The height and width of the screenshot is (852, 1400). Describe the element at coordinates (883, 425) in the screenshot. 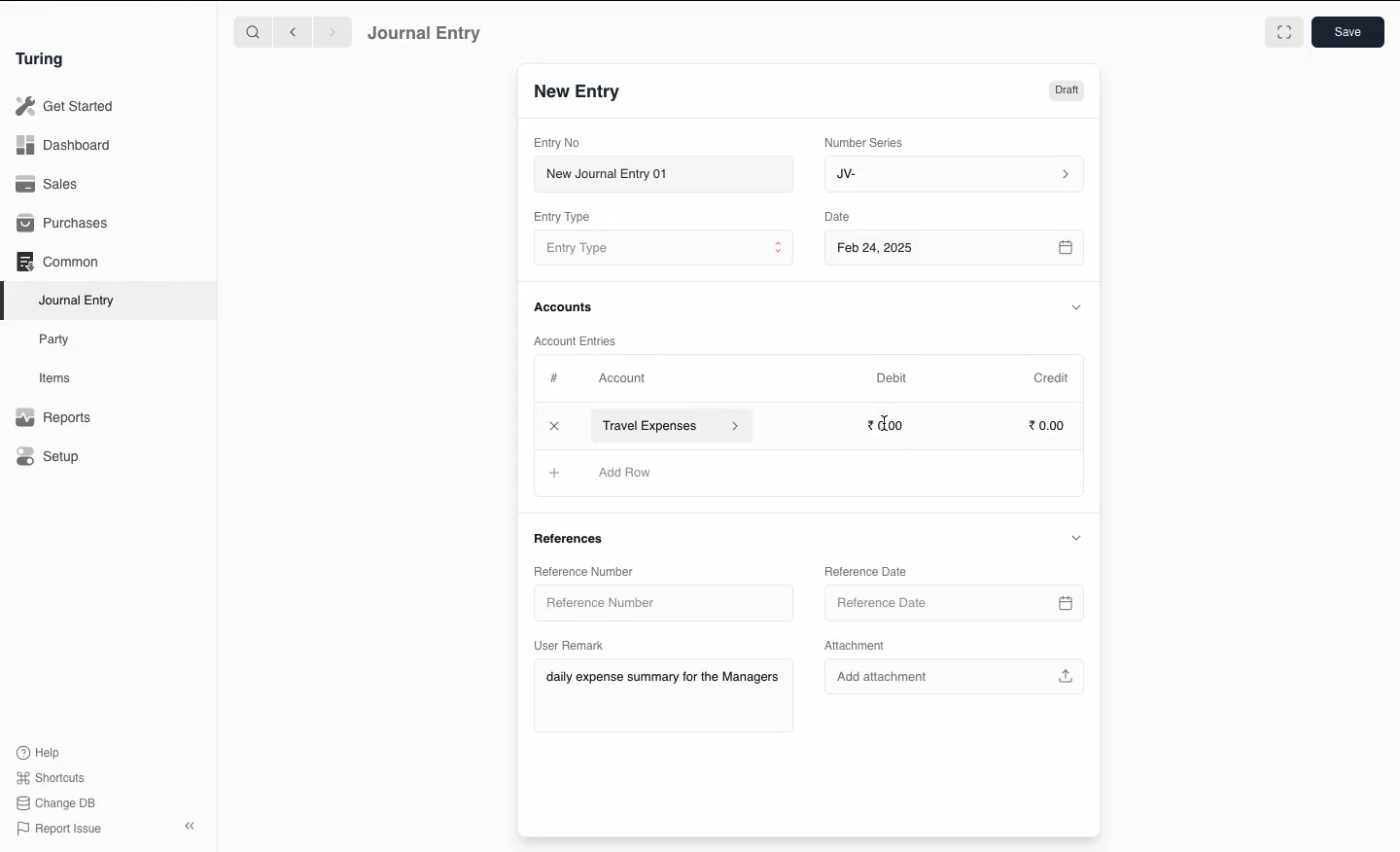

I see `cursor` at that location.